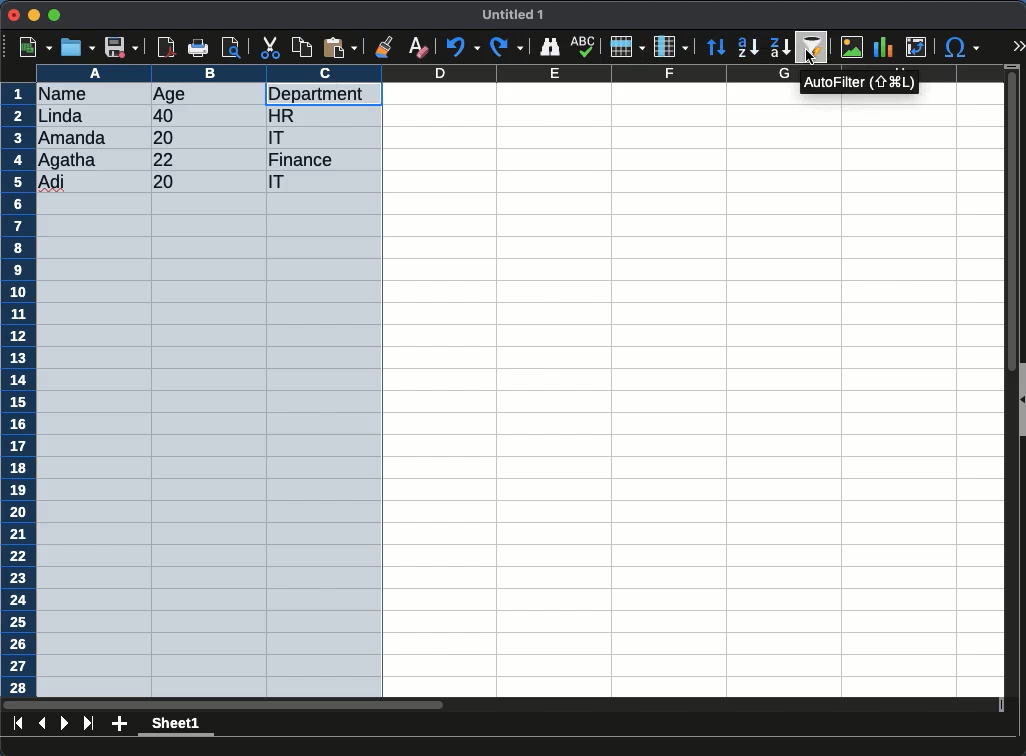 This screenshot has height=756, width=1026. What do you see at coordinates (177, 726) in the screenshot?
I see `sheet 1` at bounding box center [177, 726].